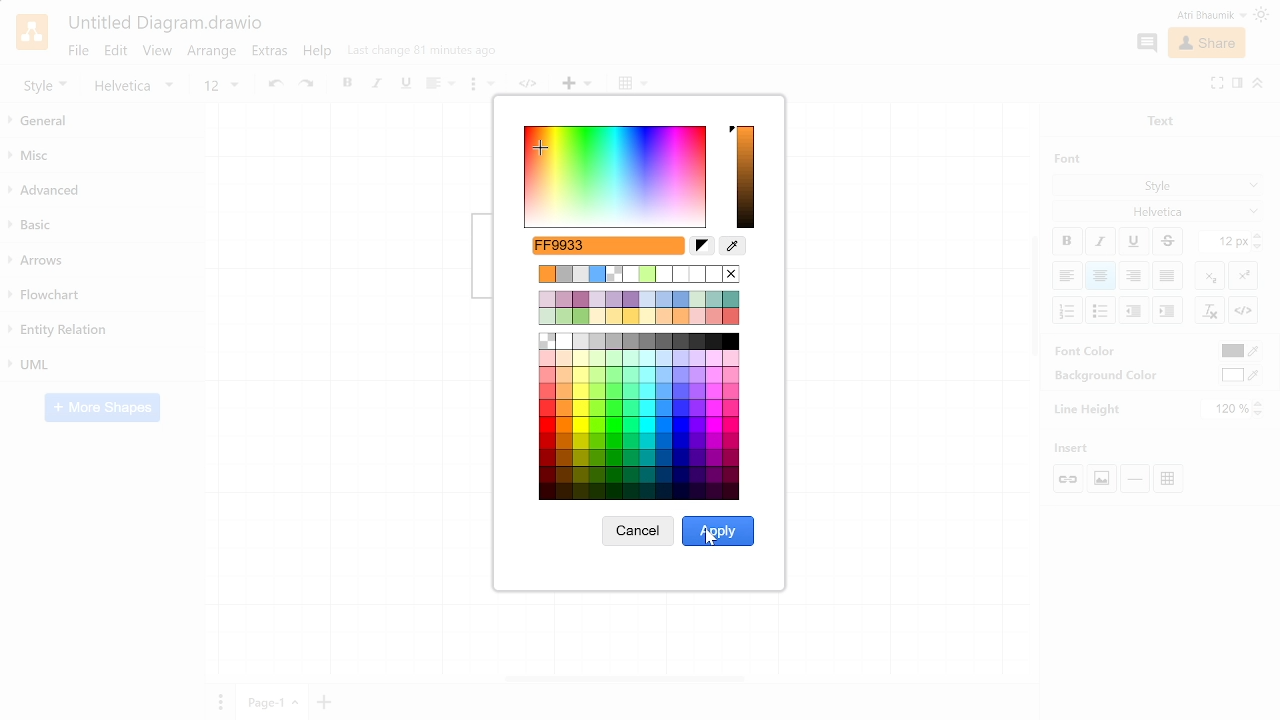 The height and width of the screenshot is (720, 1280). I want to click on insert, so click(577, 84).